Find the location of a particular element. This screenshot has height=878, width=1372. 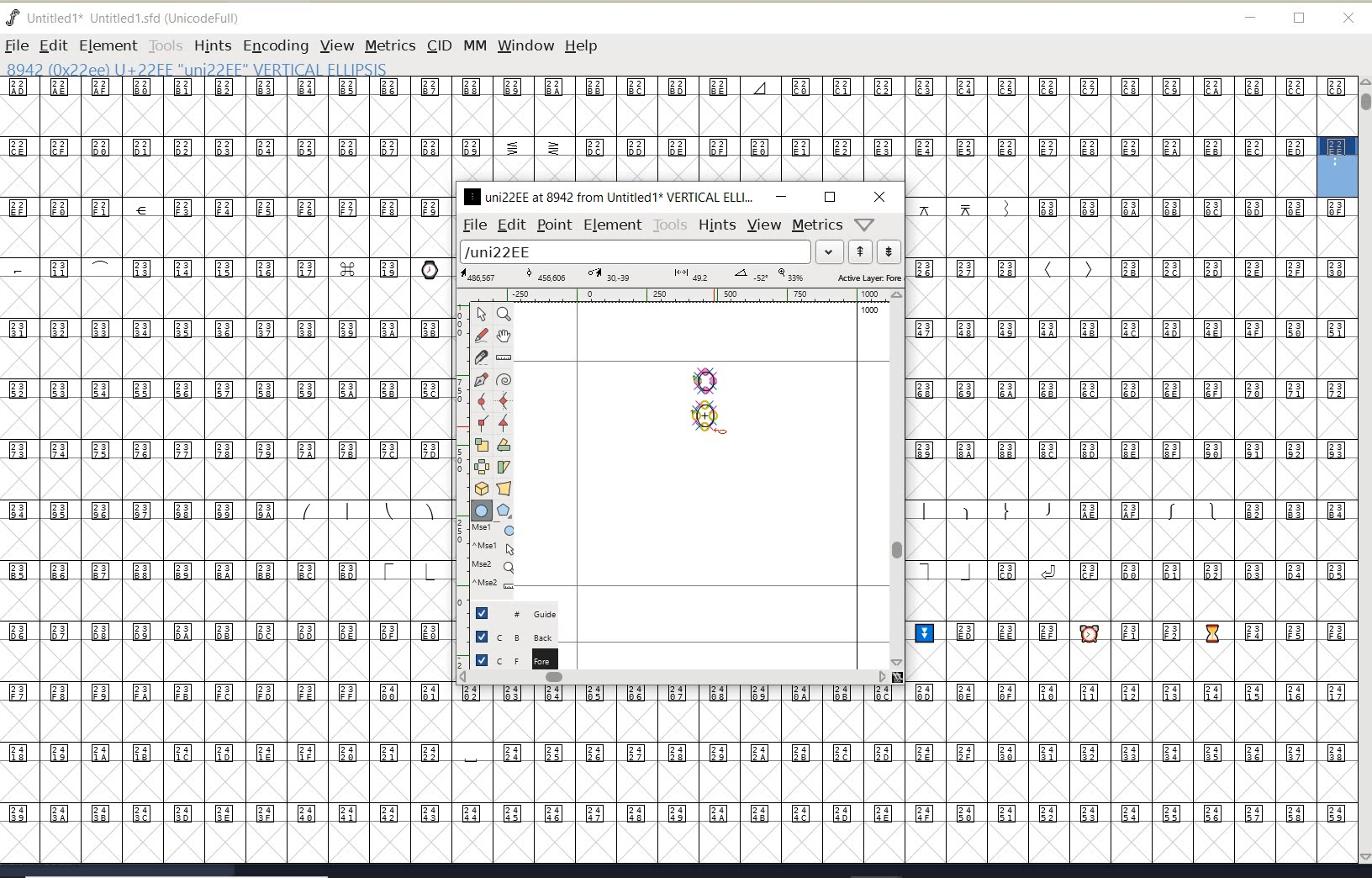

background is located at coordinates (517, 636).